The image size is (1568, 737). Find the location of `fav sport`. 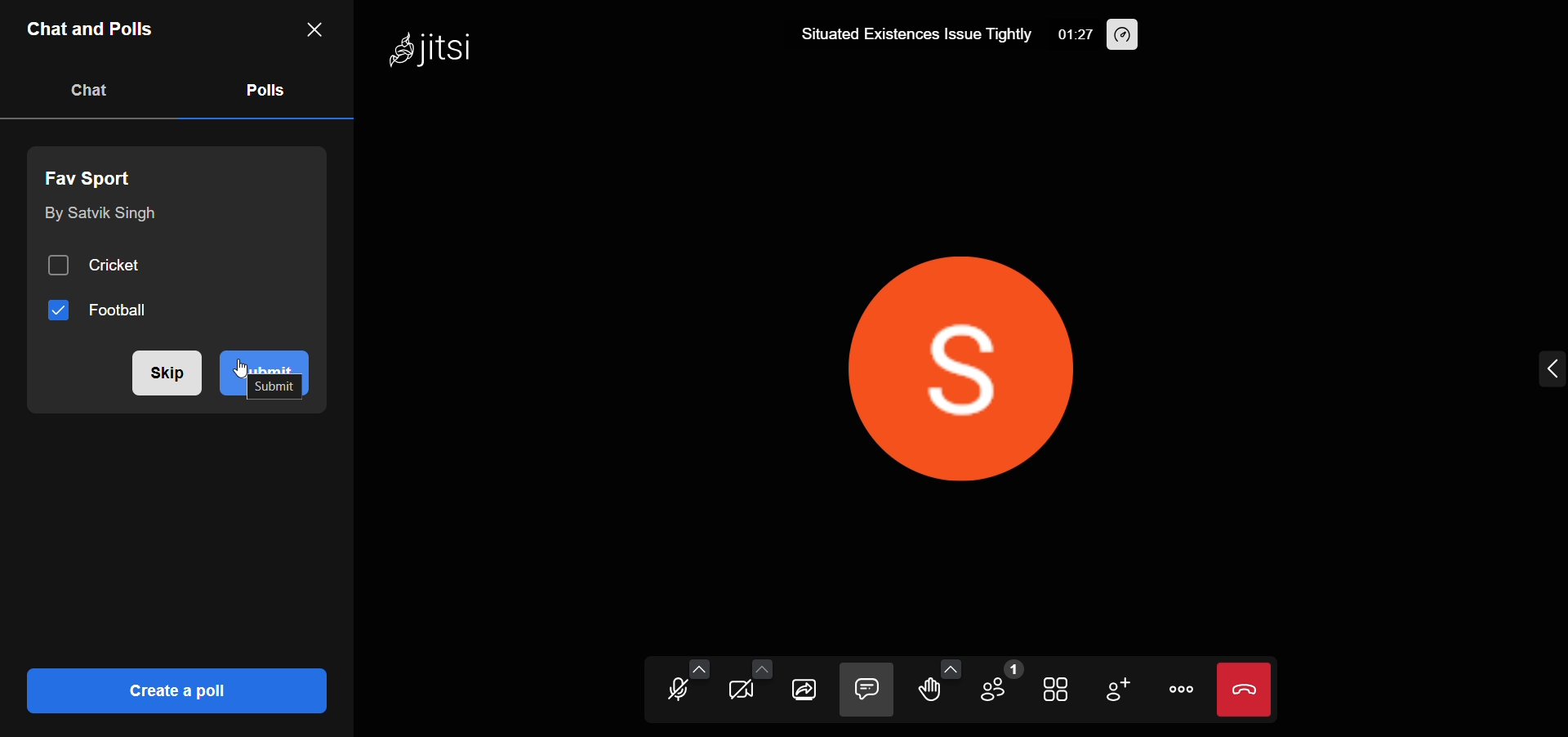

fav sport is located at coordinates (96, 176).